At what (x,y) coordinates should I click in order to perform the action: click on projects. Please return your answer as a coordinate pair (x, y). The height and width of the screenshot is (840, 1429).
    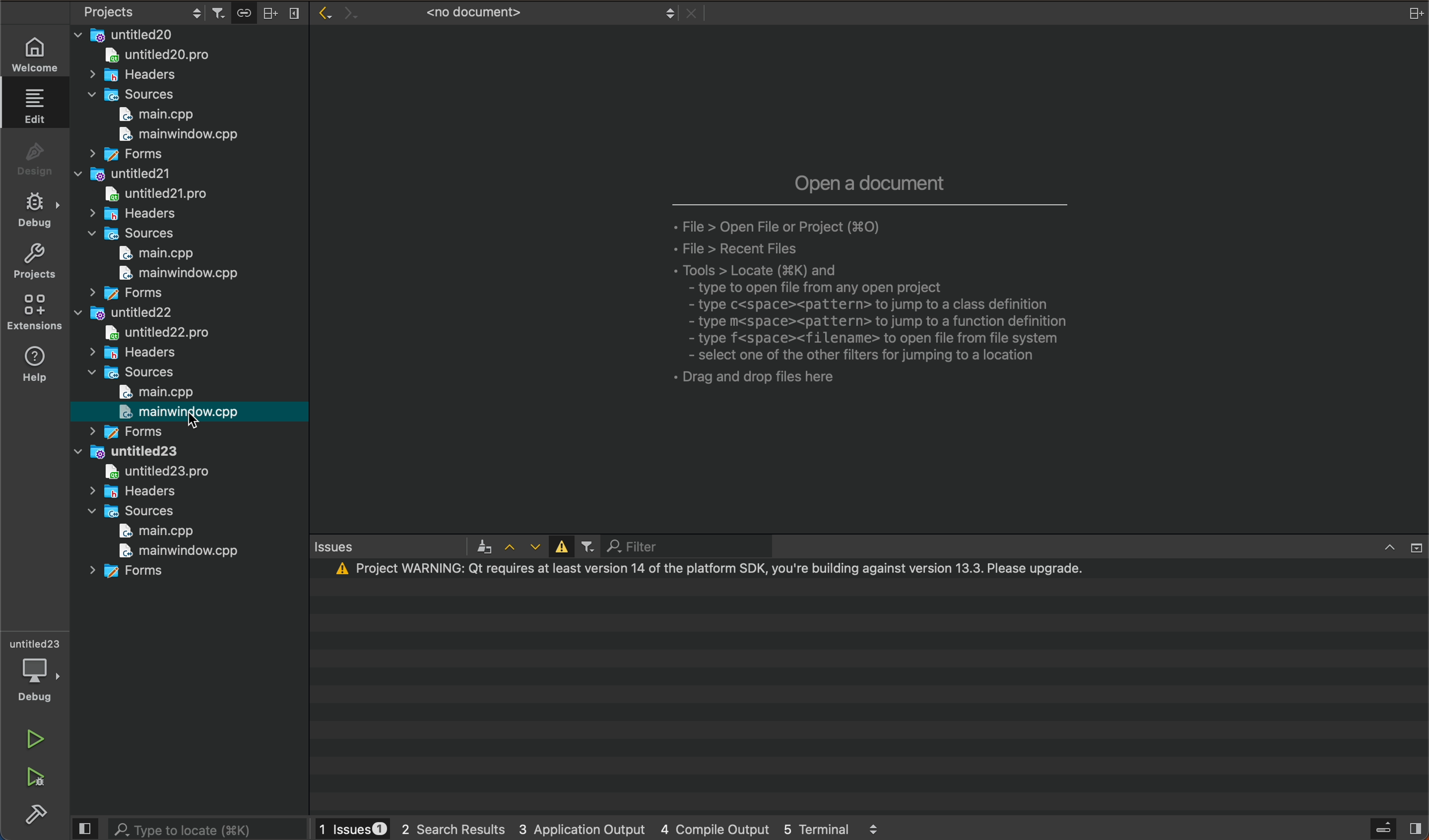
    Looking at the image, I should click on (34, 264).